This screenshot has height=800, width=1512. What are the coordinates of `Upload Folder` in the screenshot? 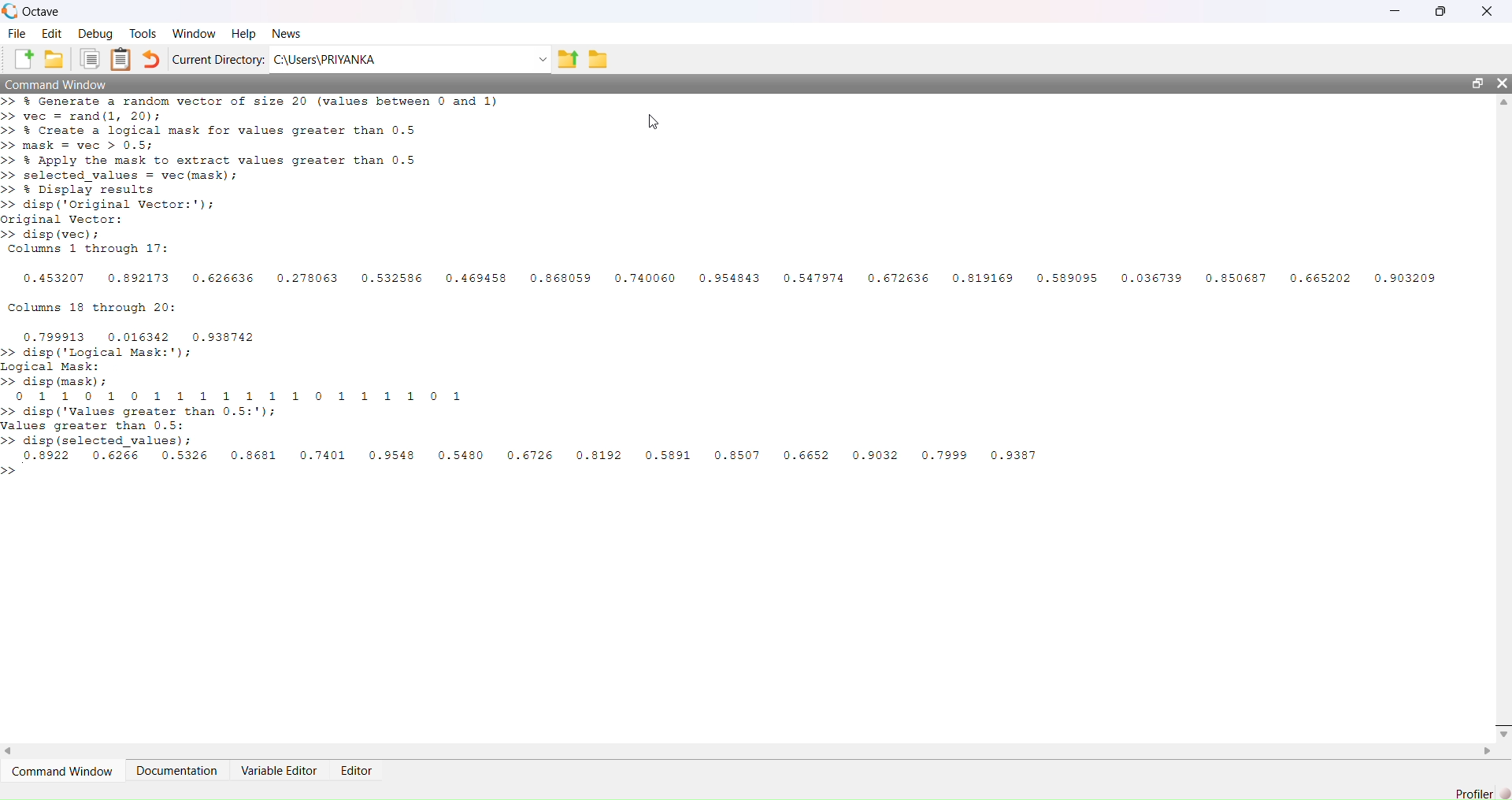 It's located at (567, 59).